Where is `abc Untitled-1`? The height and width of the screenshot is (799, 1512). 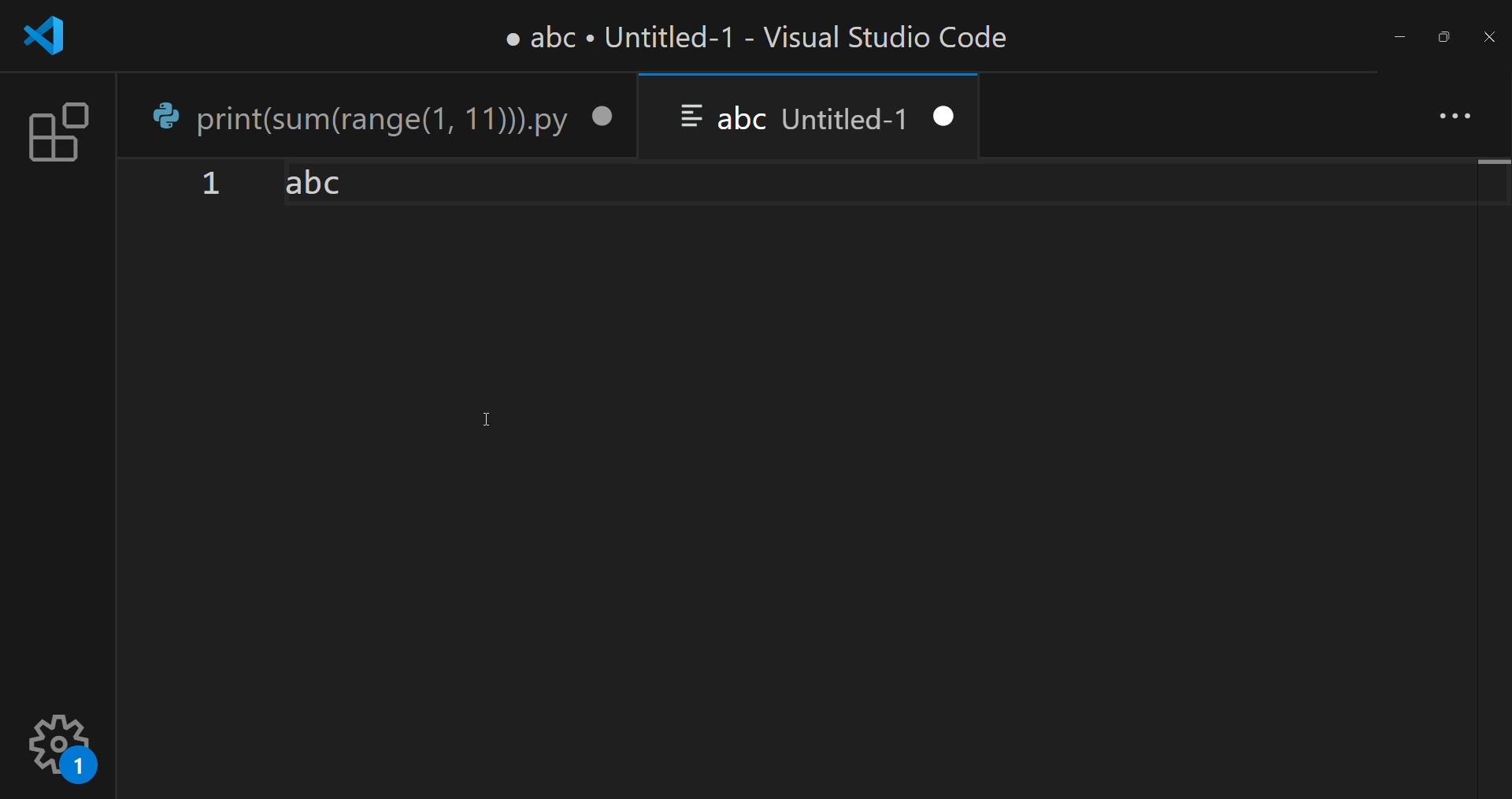
abc Untitled-1 is located at coordinates (794, 116).